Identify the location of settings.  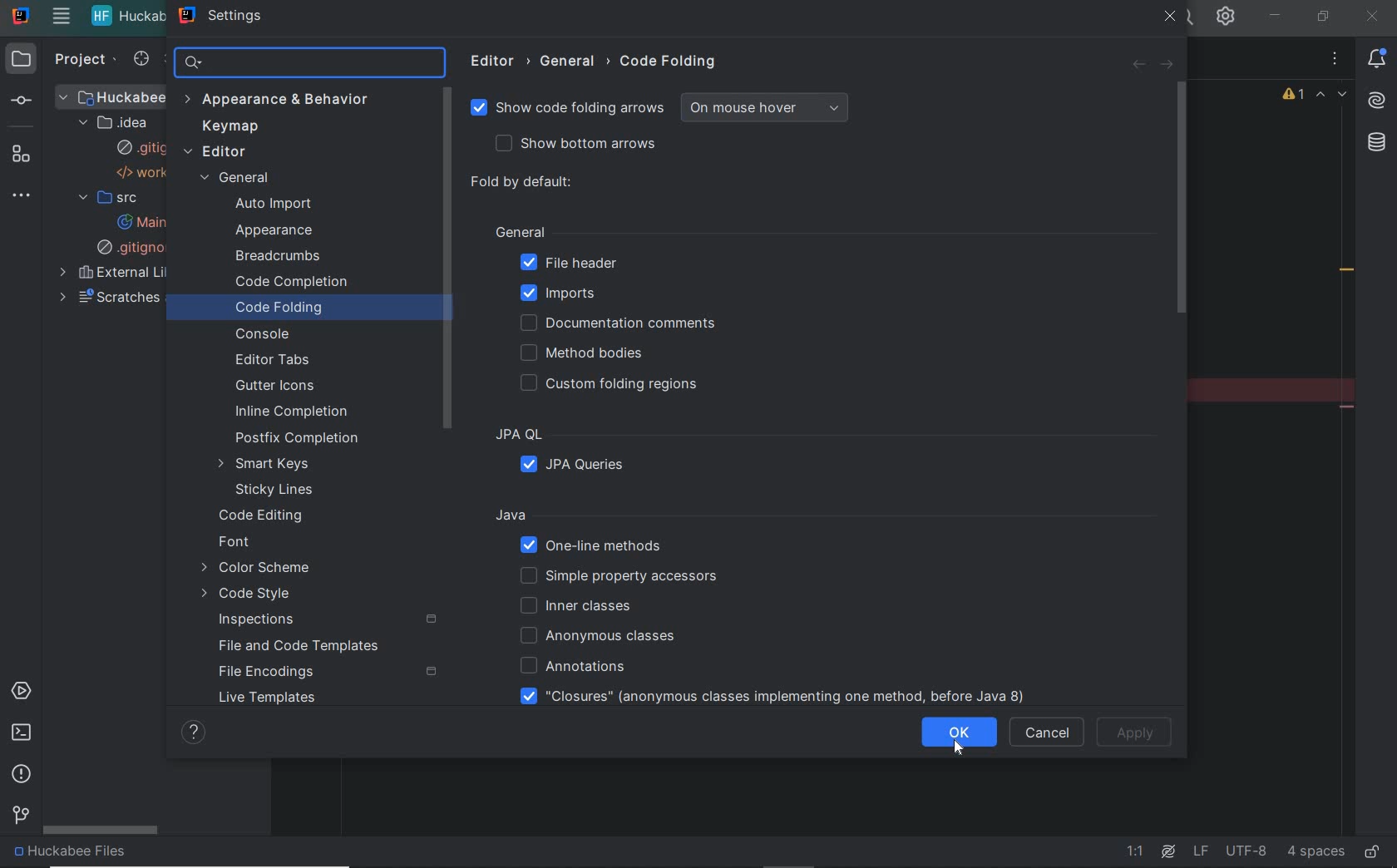
(1227, 18).